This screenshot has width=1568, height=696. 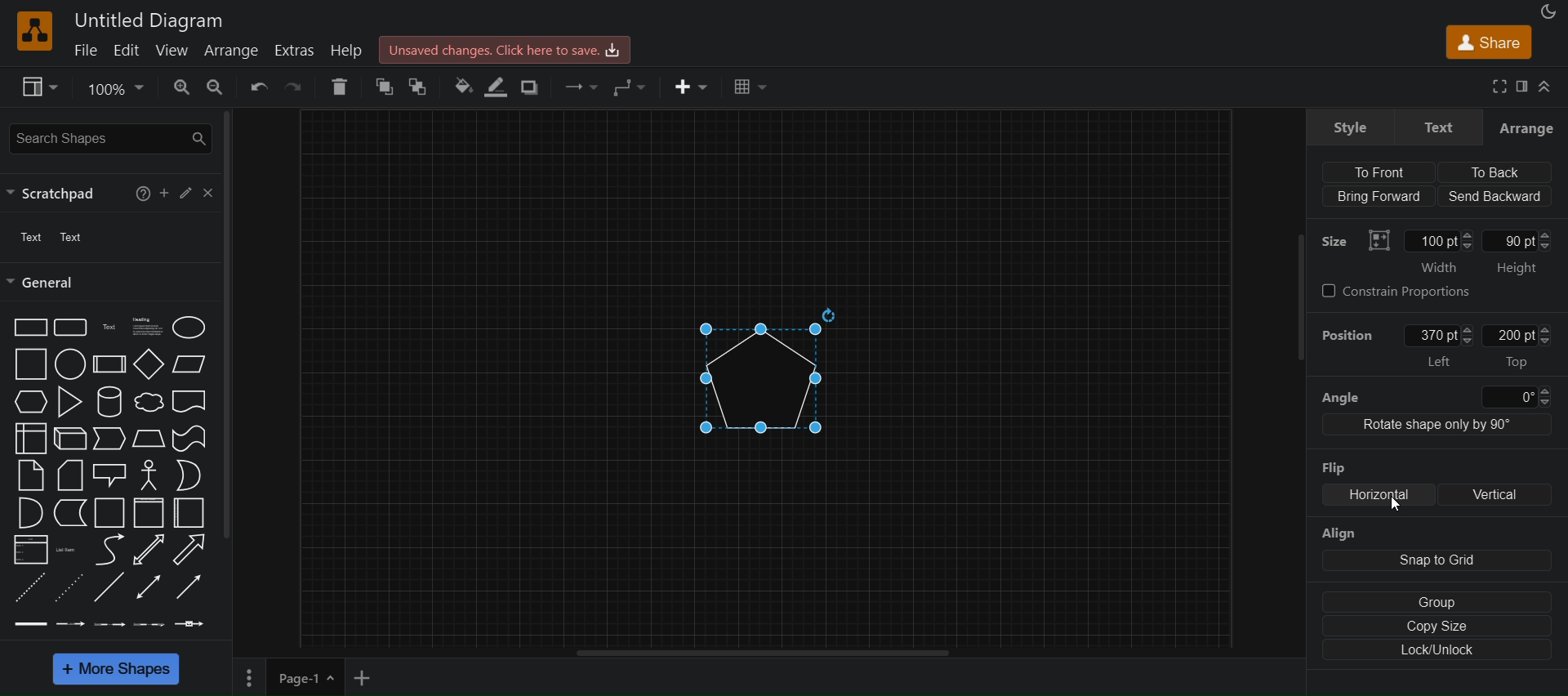 I want to click on Text, so click(x=1439, y=127).